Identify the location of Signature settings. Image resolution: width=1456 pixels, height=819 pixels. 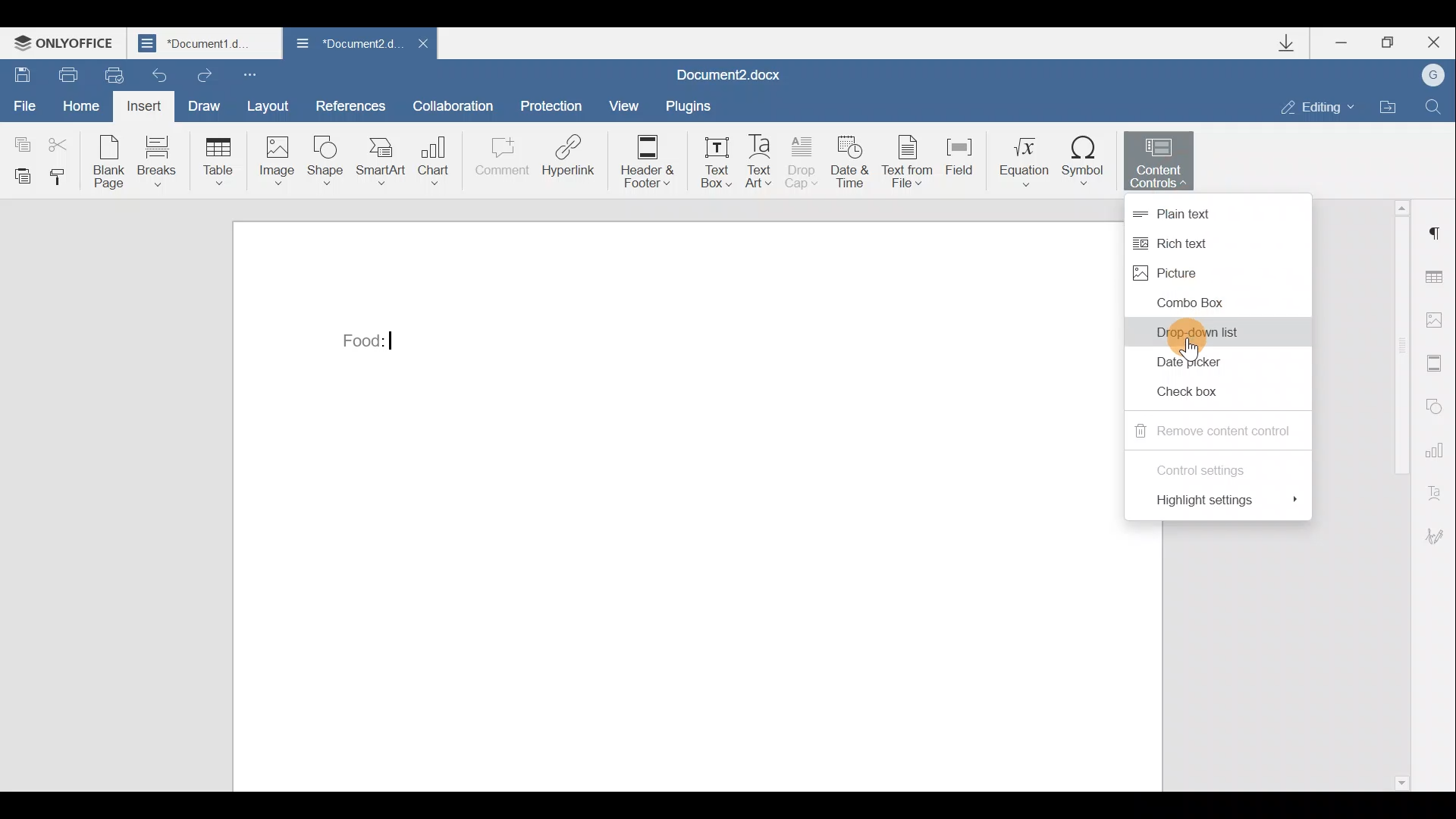
(1441, 536).